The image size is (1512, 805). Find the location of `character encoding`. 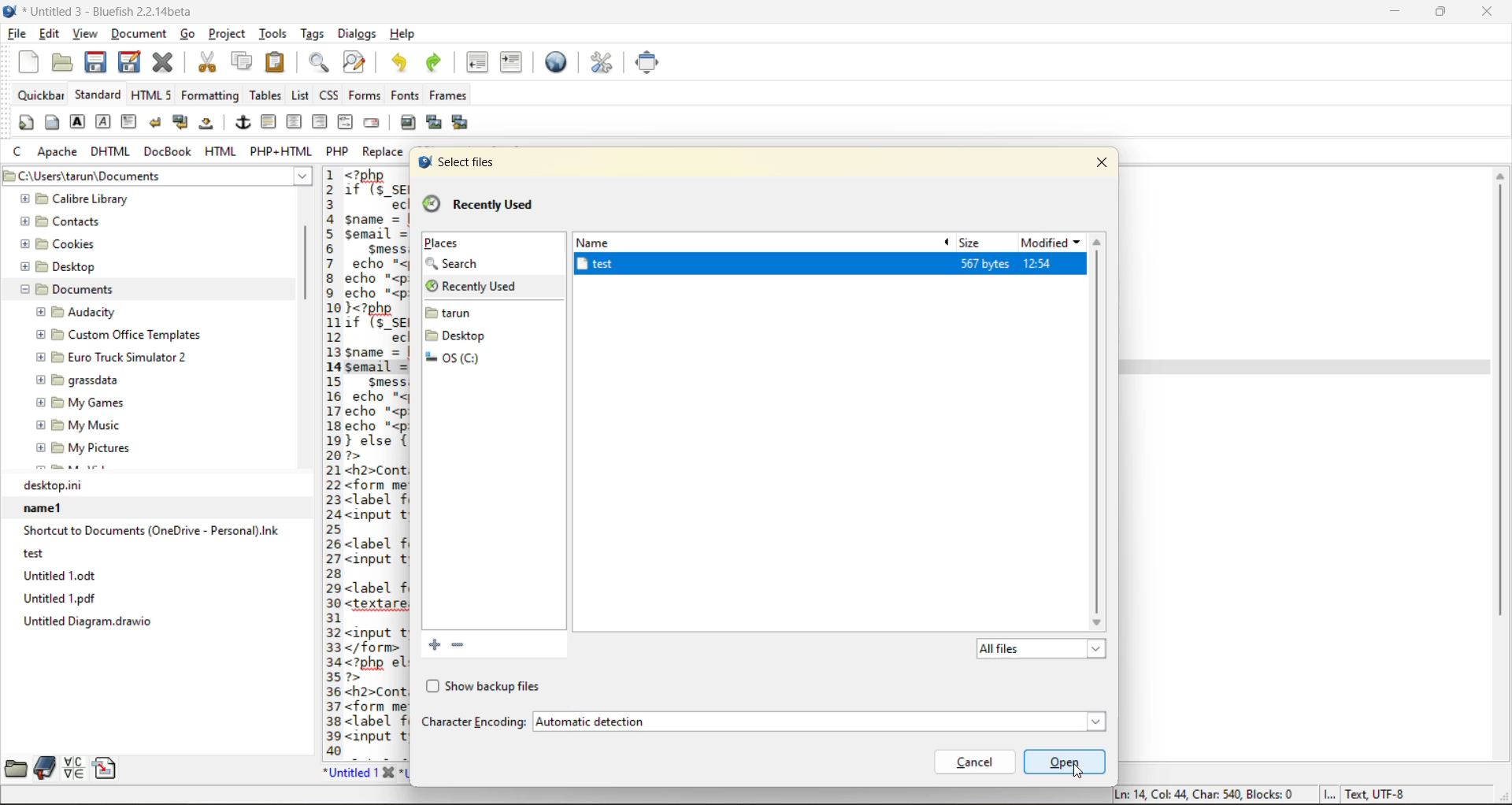

character encoding is located at coordinates (472, 722).